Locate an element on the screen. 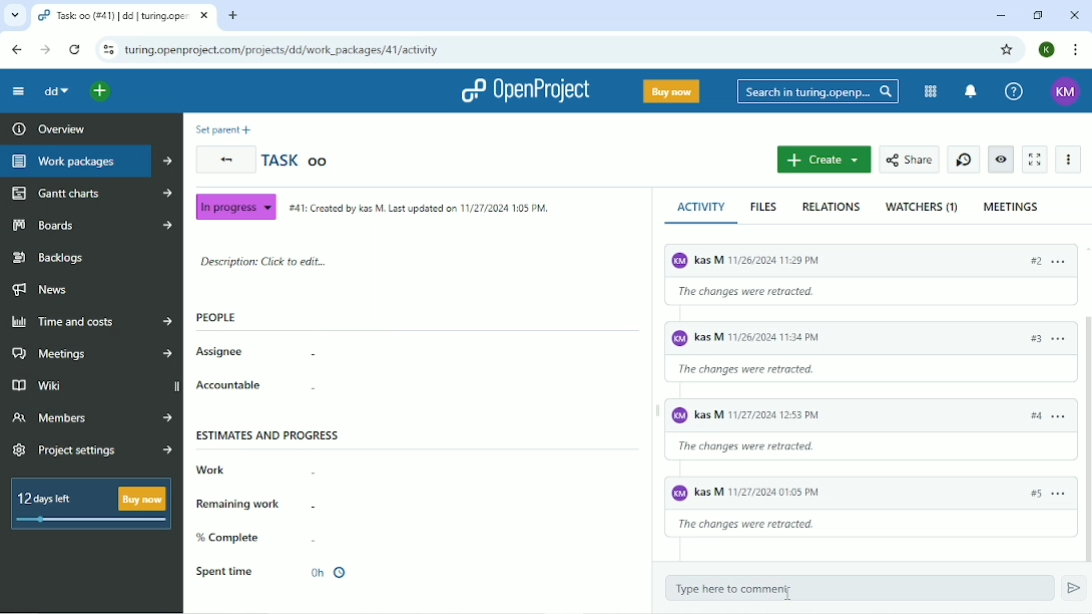 The image size is (1092, 614). Start new timer is located at coordinates (963, 160).